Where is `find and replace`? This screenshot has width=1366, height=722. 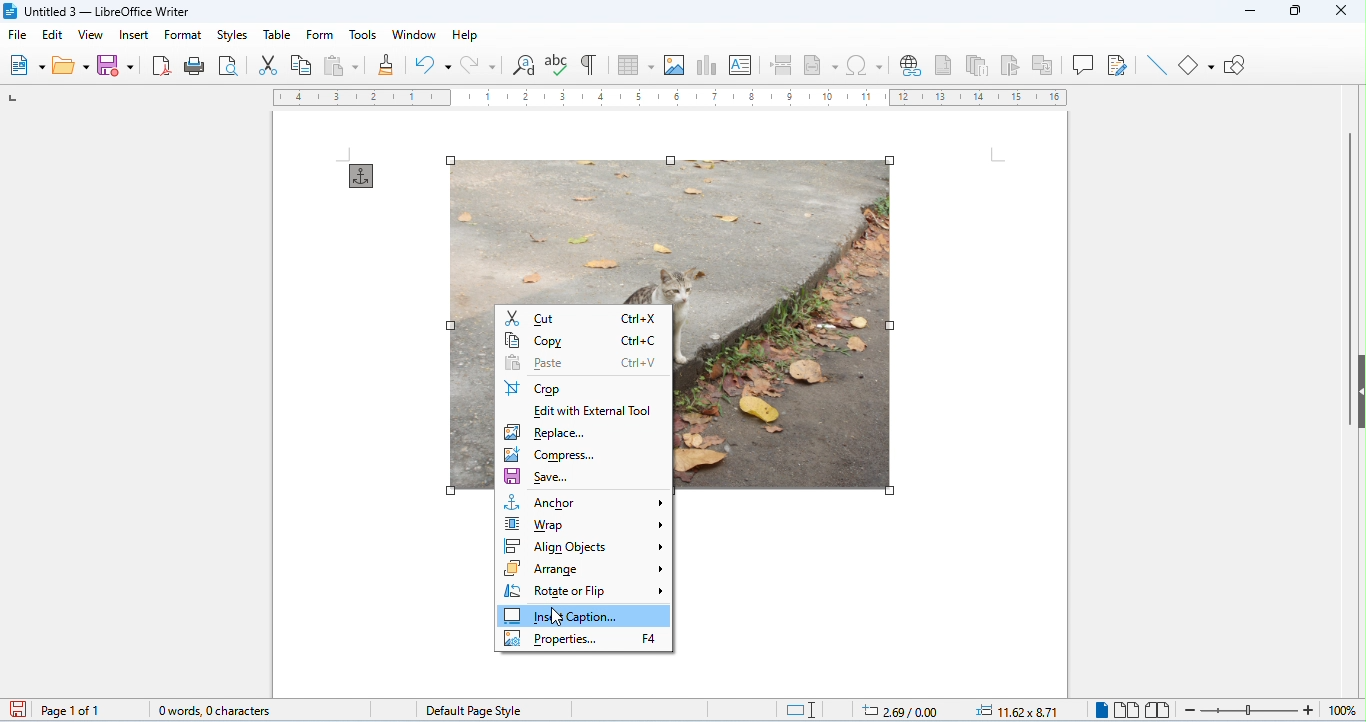
find and replace is located at coordinates (523, 67).